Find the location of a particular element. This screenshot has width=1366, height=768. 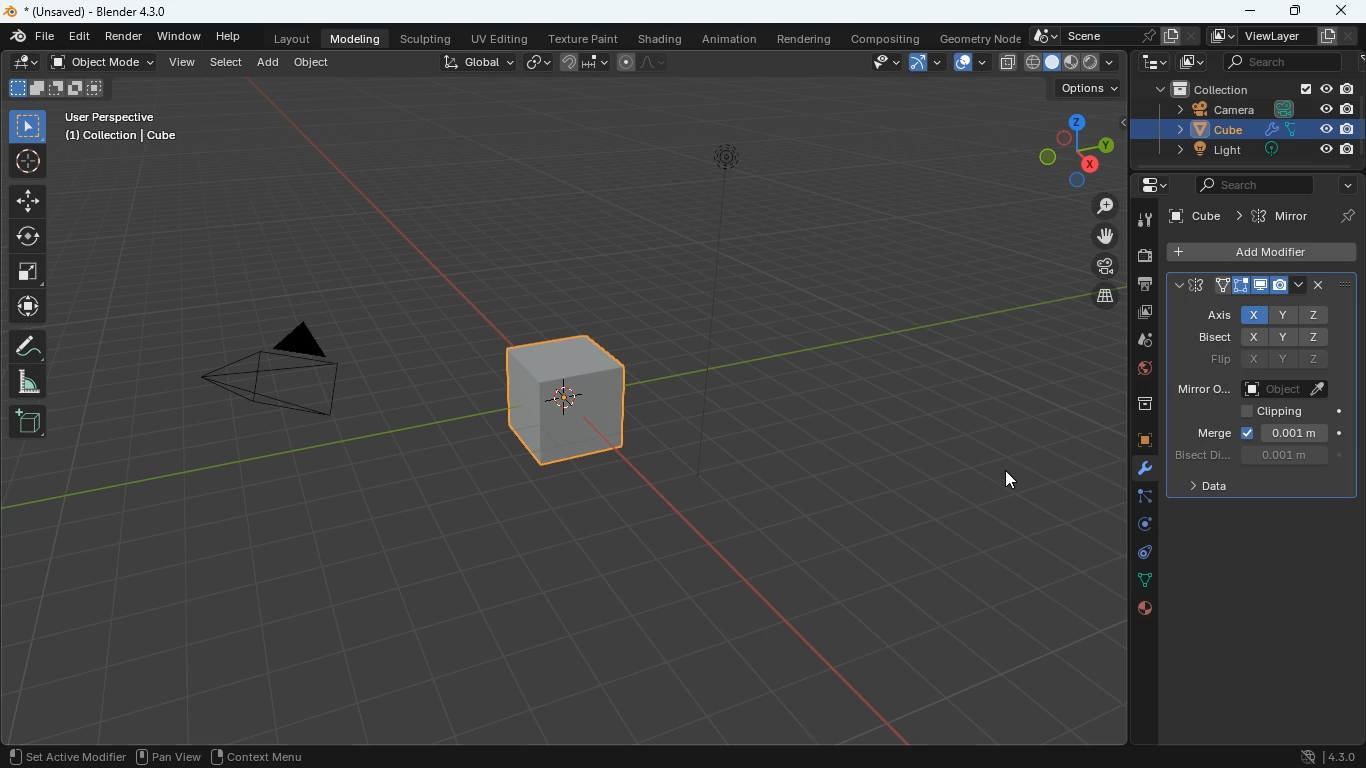

archive is located at coordinates (1134, 404).